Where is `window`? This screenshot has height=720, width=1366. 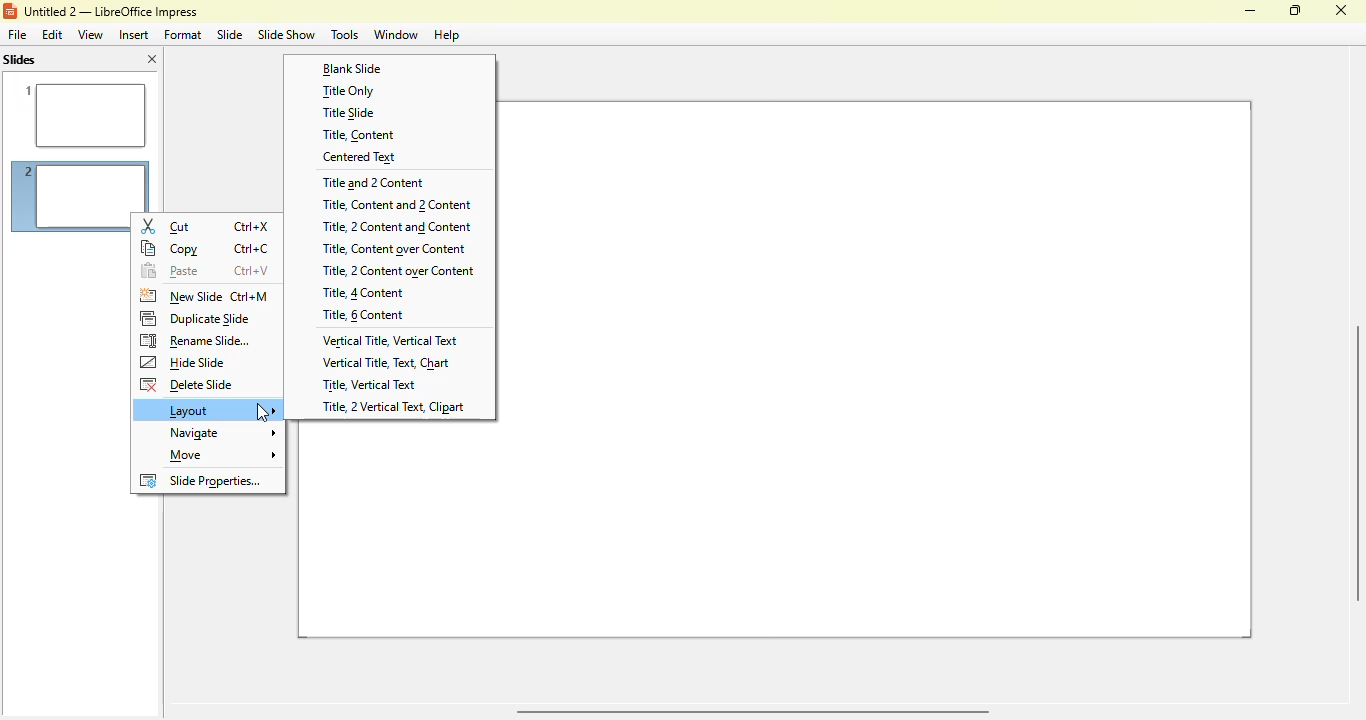 window is located at coordinates (395, 35).